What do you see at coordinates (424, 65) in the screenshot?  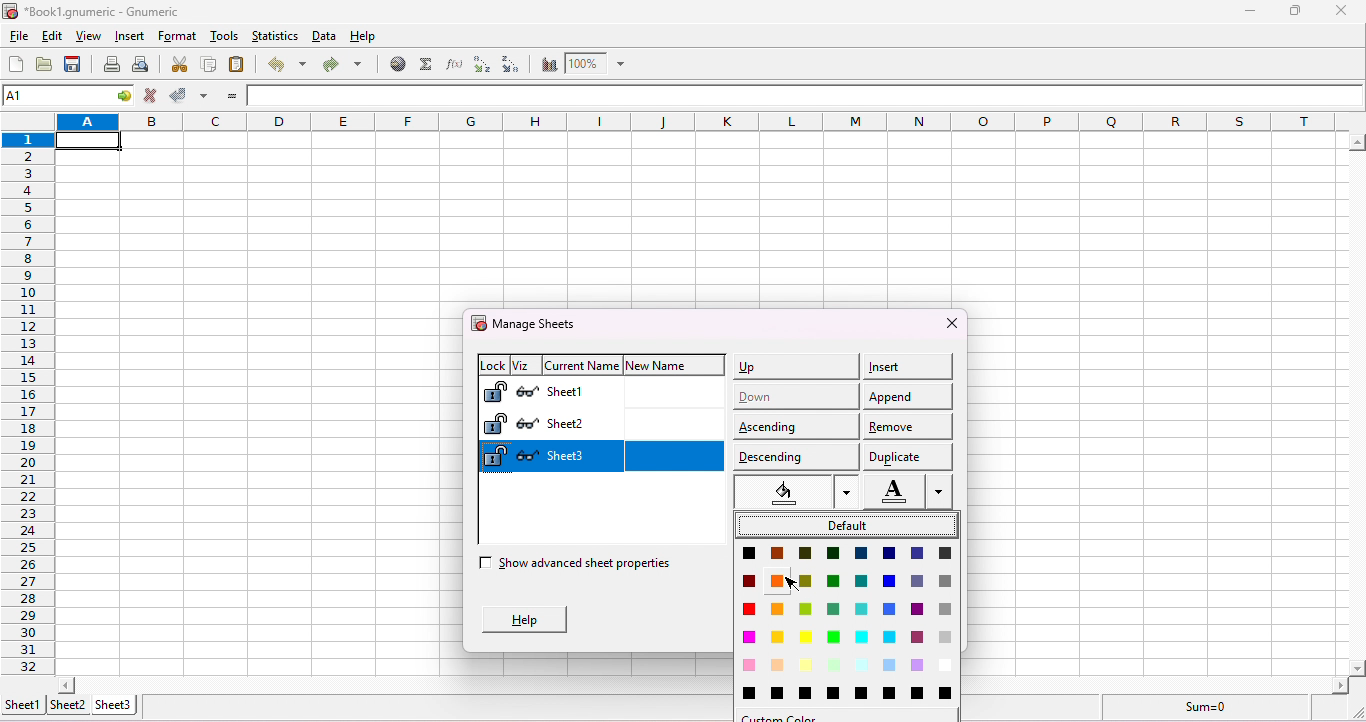 I see `sum into the current cell` at bounding box center [424, 65].